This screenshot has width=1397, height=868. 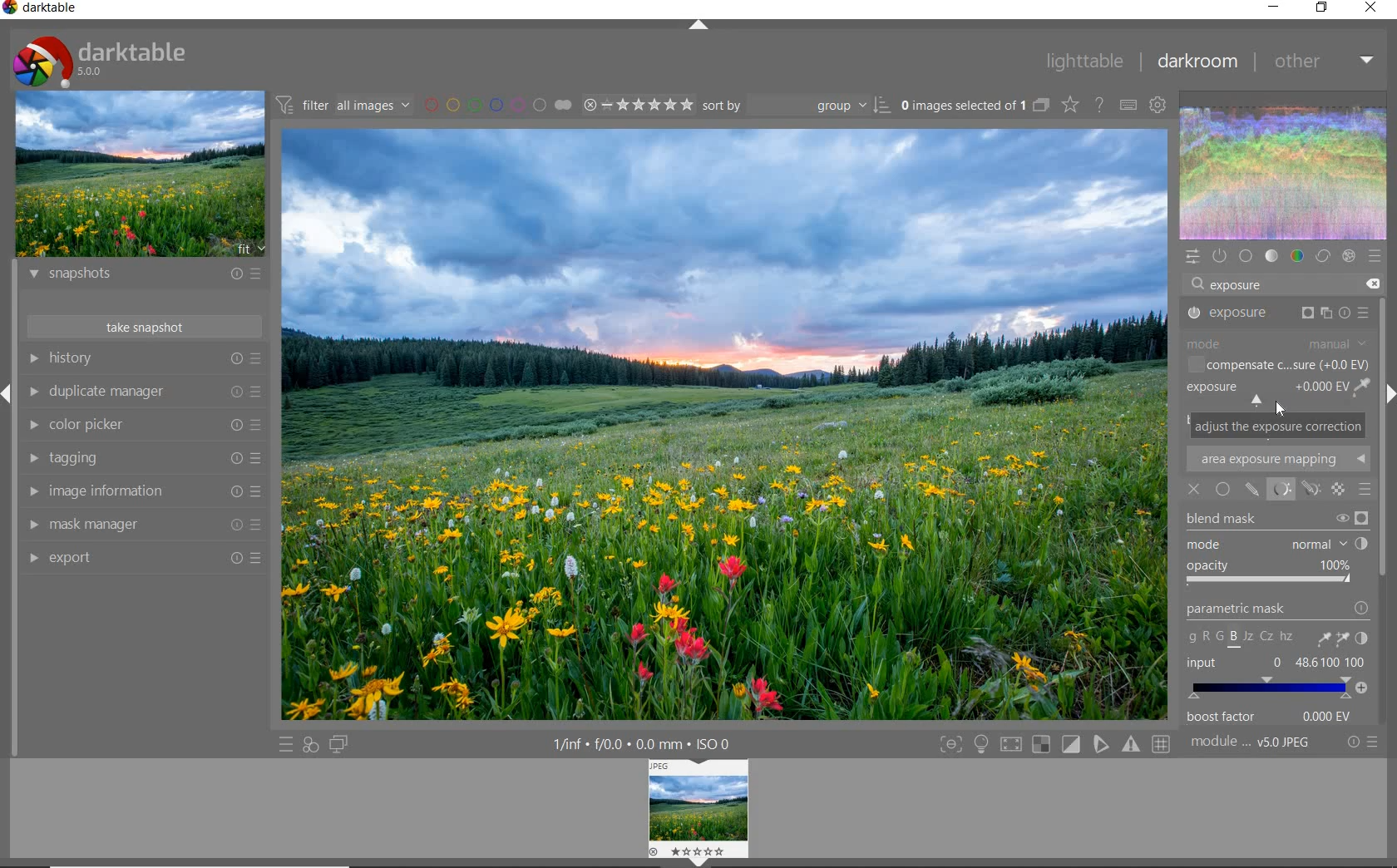 I want to click on quick access panel, so click(x=1191, y=257).